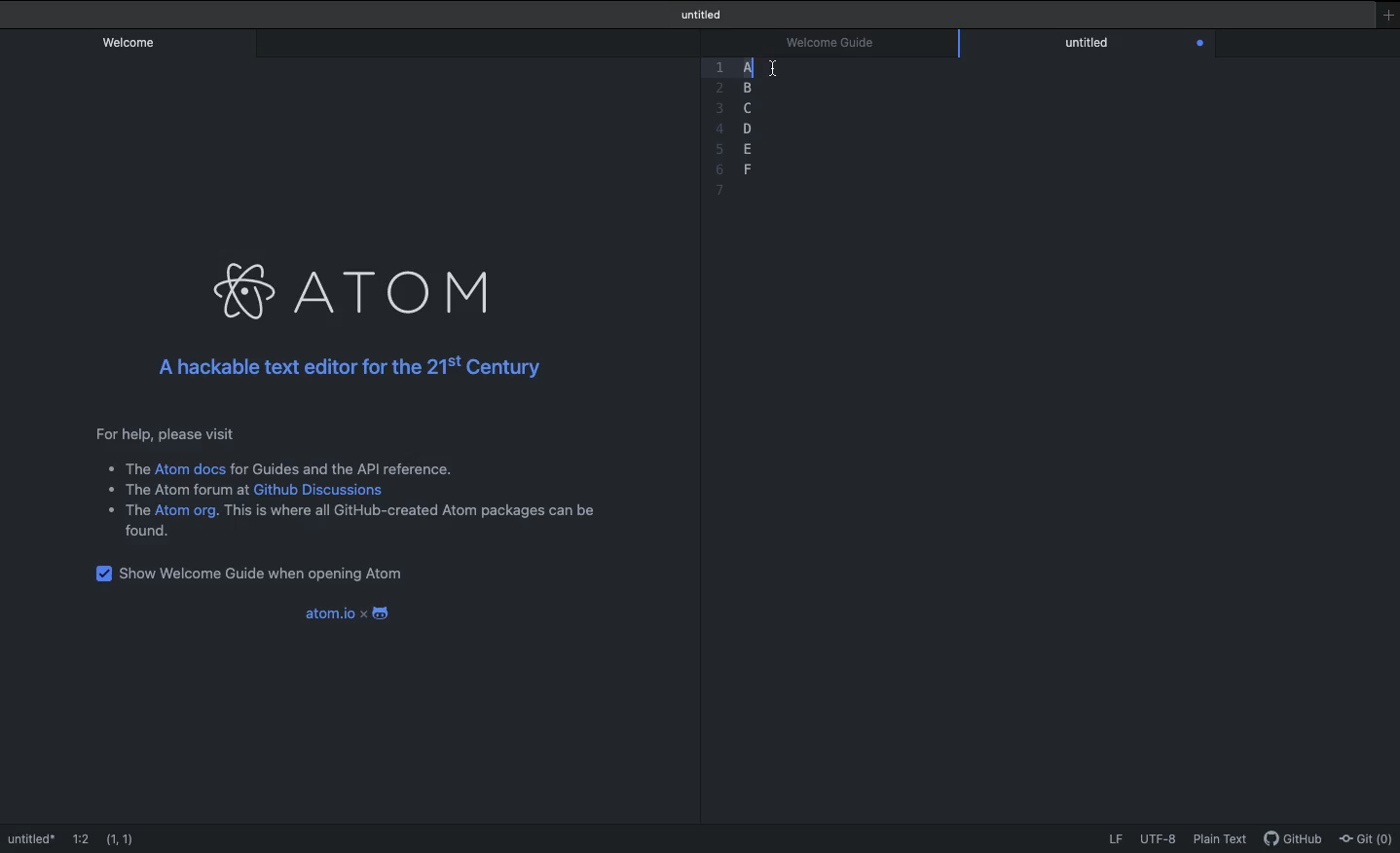 This screenshot has width=1400, height=853. Describe the element at coordinates (258, 571) in the screenshot. I see `Show welcome guide when opening Atom` at that location.